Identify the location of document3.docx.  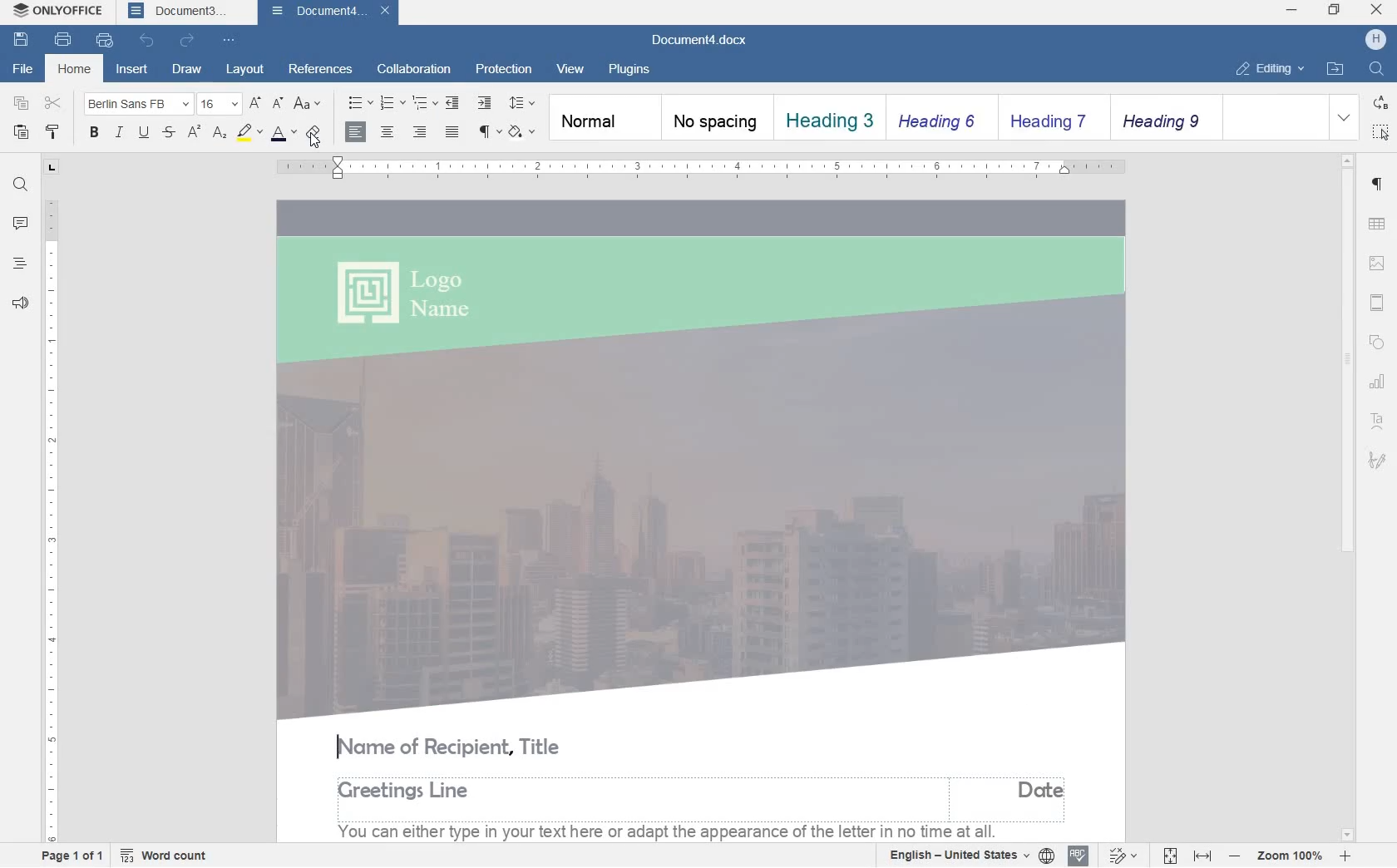
(706, 40).